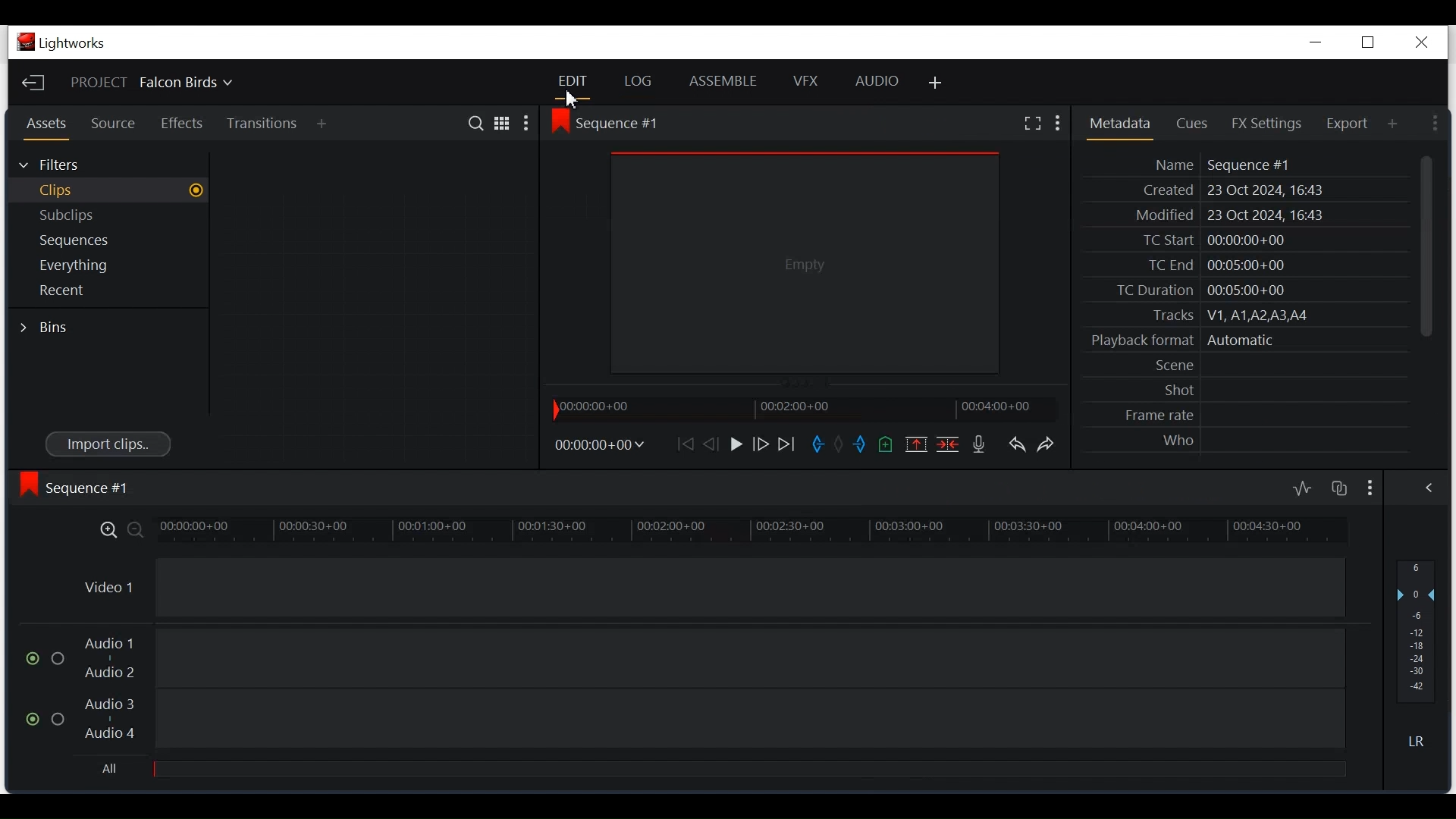  I want to click on ormat Automatic, so click(1195, 340).